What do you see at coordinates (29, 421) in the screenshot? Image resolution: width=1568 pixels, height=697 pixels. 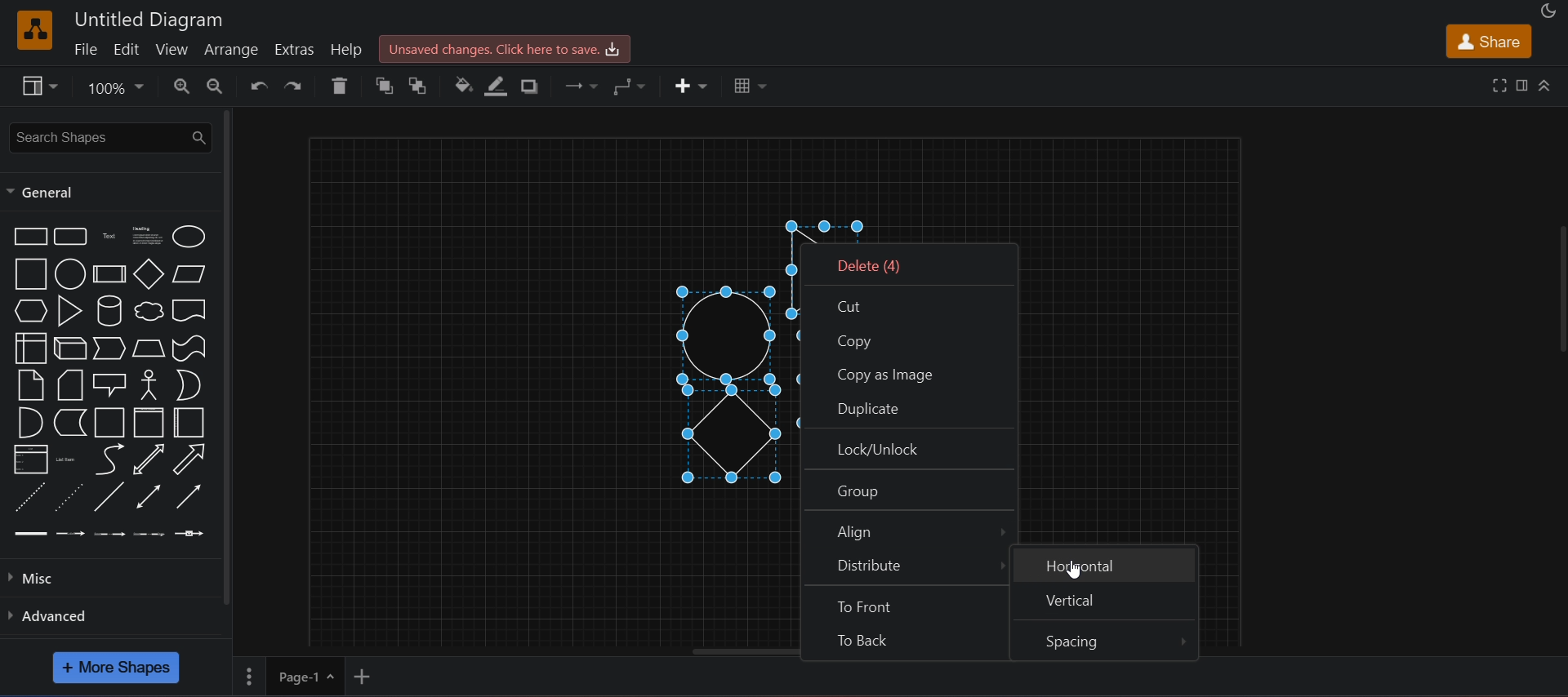 I see `and` at bounding box center [29, 421].